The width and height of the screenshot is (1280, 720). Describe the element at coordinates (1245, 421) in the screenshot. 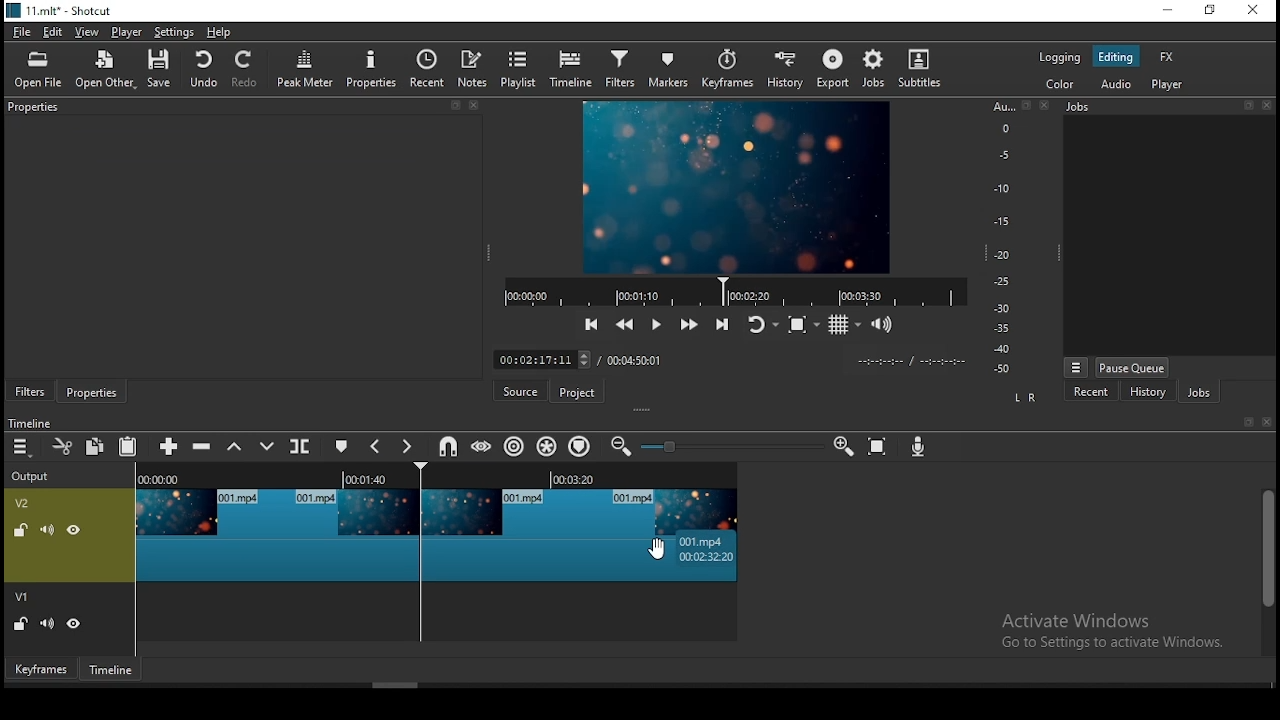

I see `MAXIMIZE` at that location.